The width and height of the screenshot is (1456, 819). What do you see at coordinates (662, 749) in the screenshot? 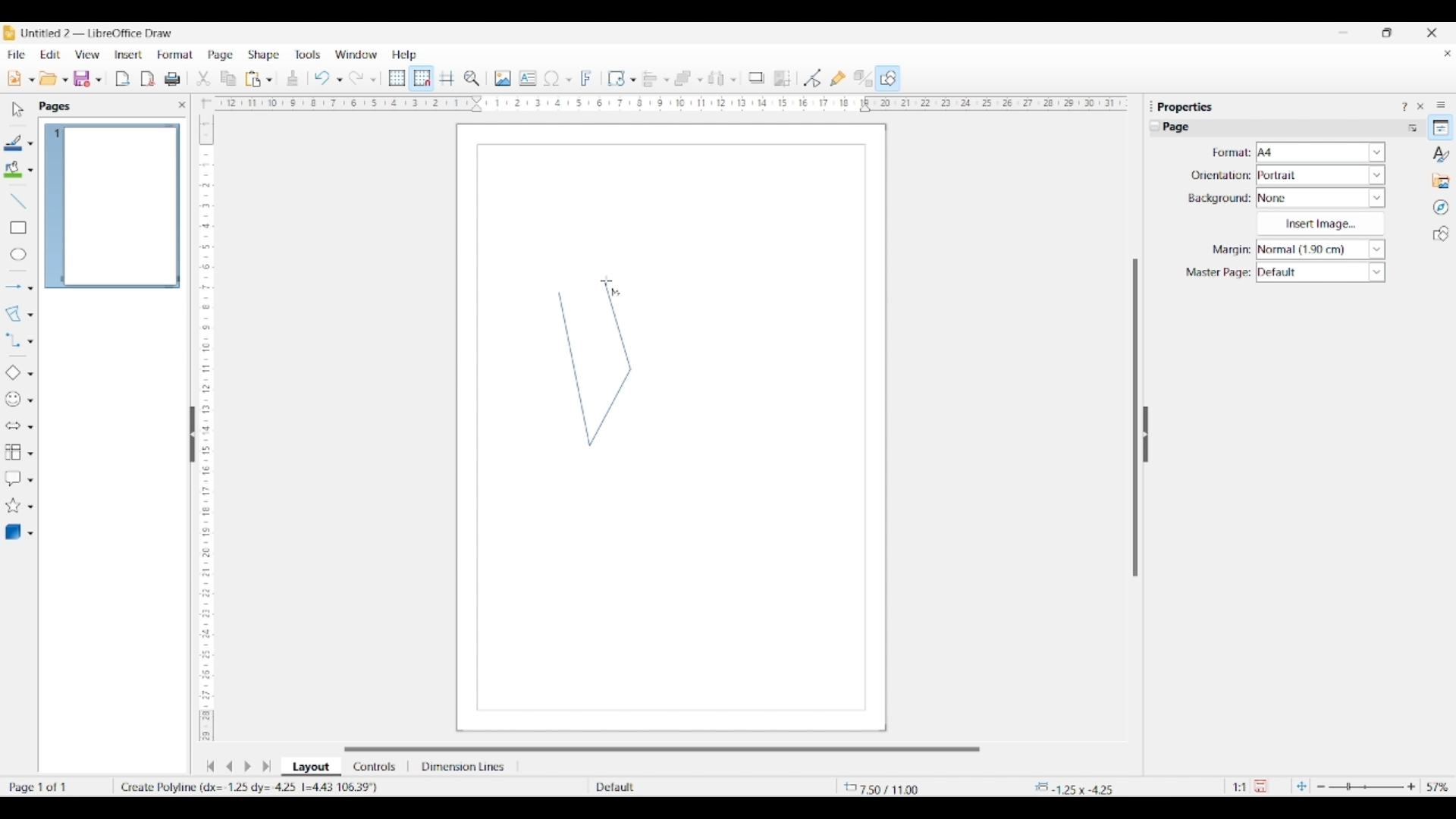
I see `Horizontal slide bar` at bounding box center [662, 749].